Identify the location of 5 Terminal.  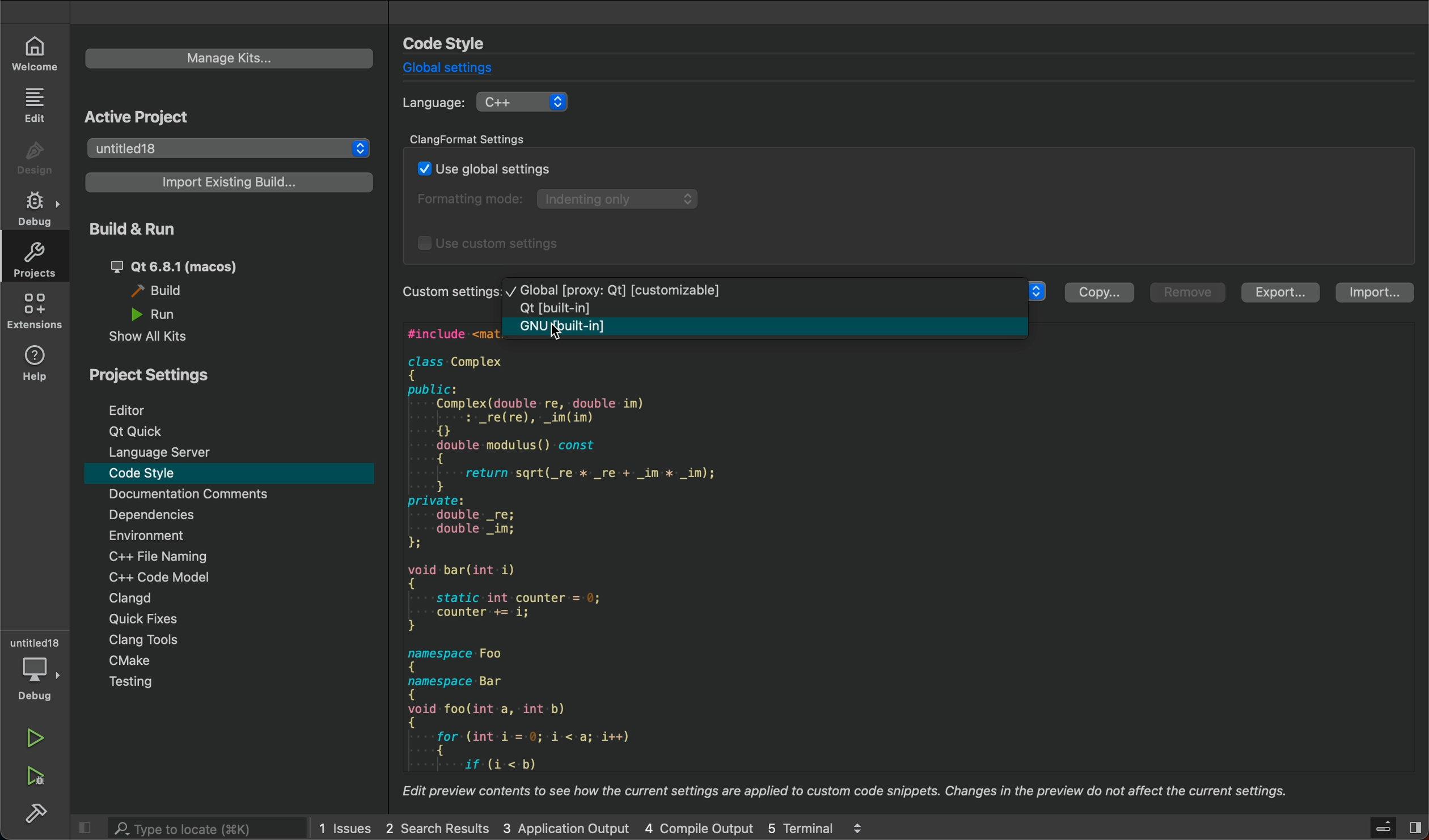
(800, 826).